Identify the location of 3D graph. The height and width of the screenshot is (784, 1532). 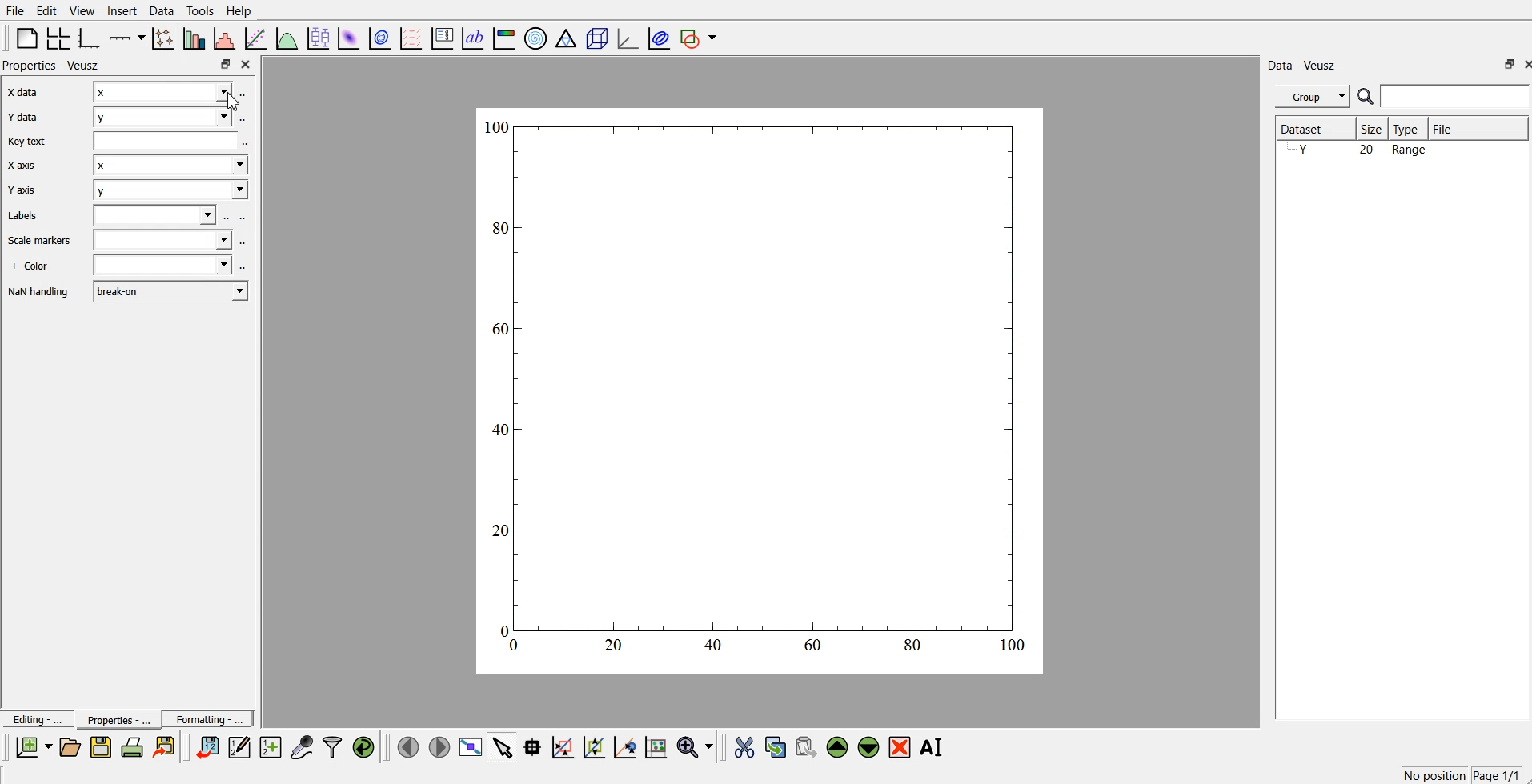
(626, 38).